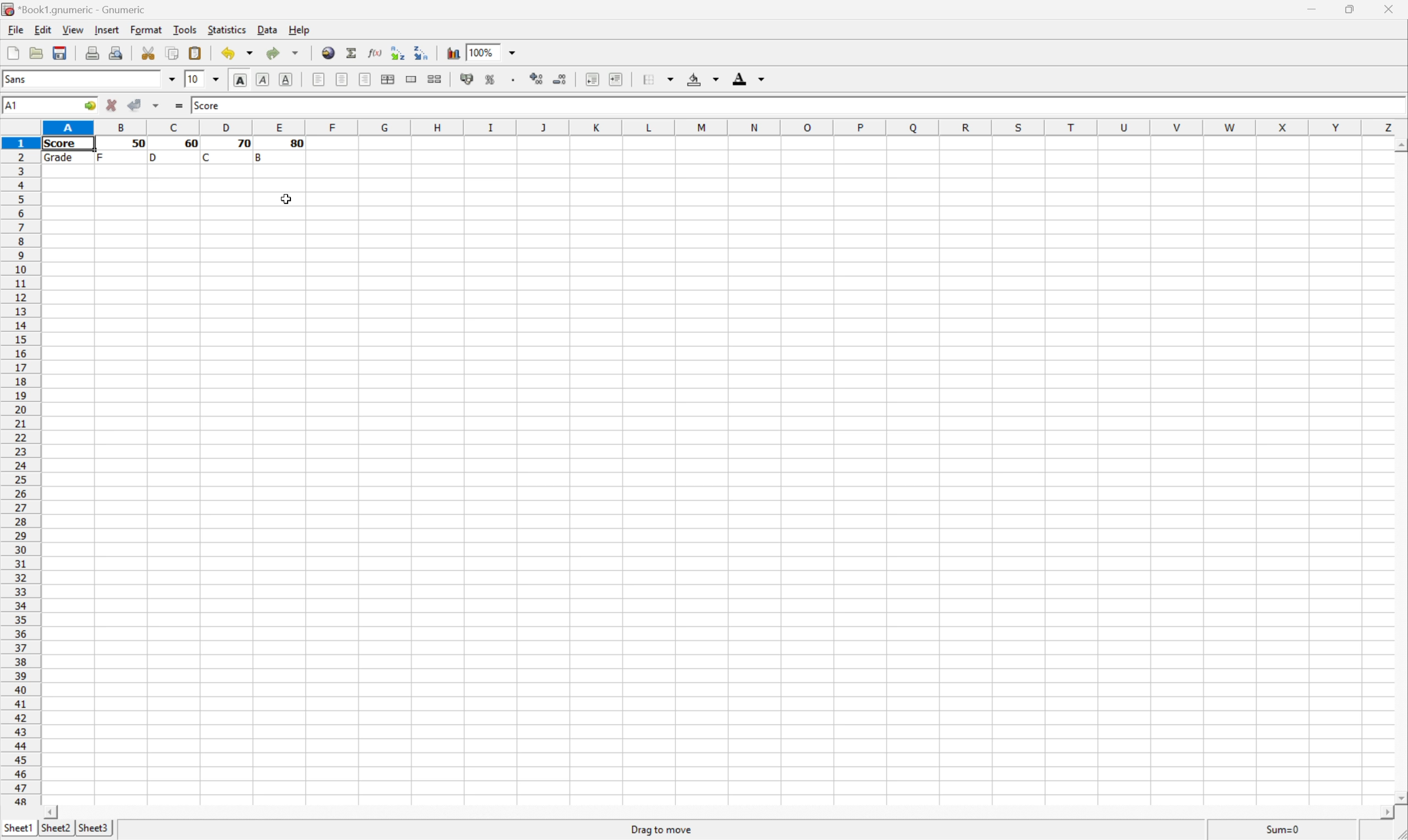 The image size is (1408, 840). Describe the element at coordinates (260, 156) in the screenshot. I see `B` at that location.